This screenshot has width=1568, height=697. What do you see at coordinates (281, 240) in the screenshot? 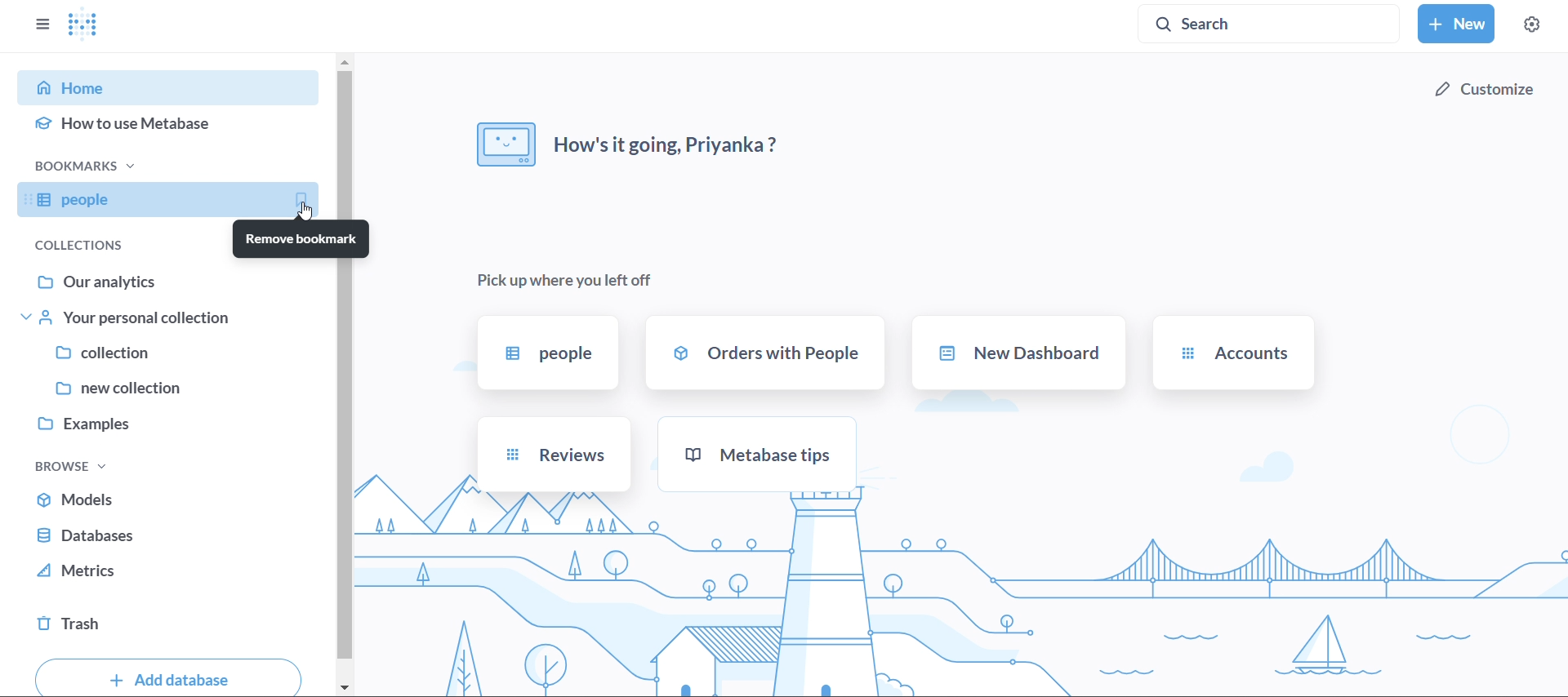
I see `remove bookamarks` at bounding box center [281, 240].